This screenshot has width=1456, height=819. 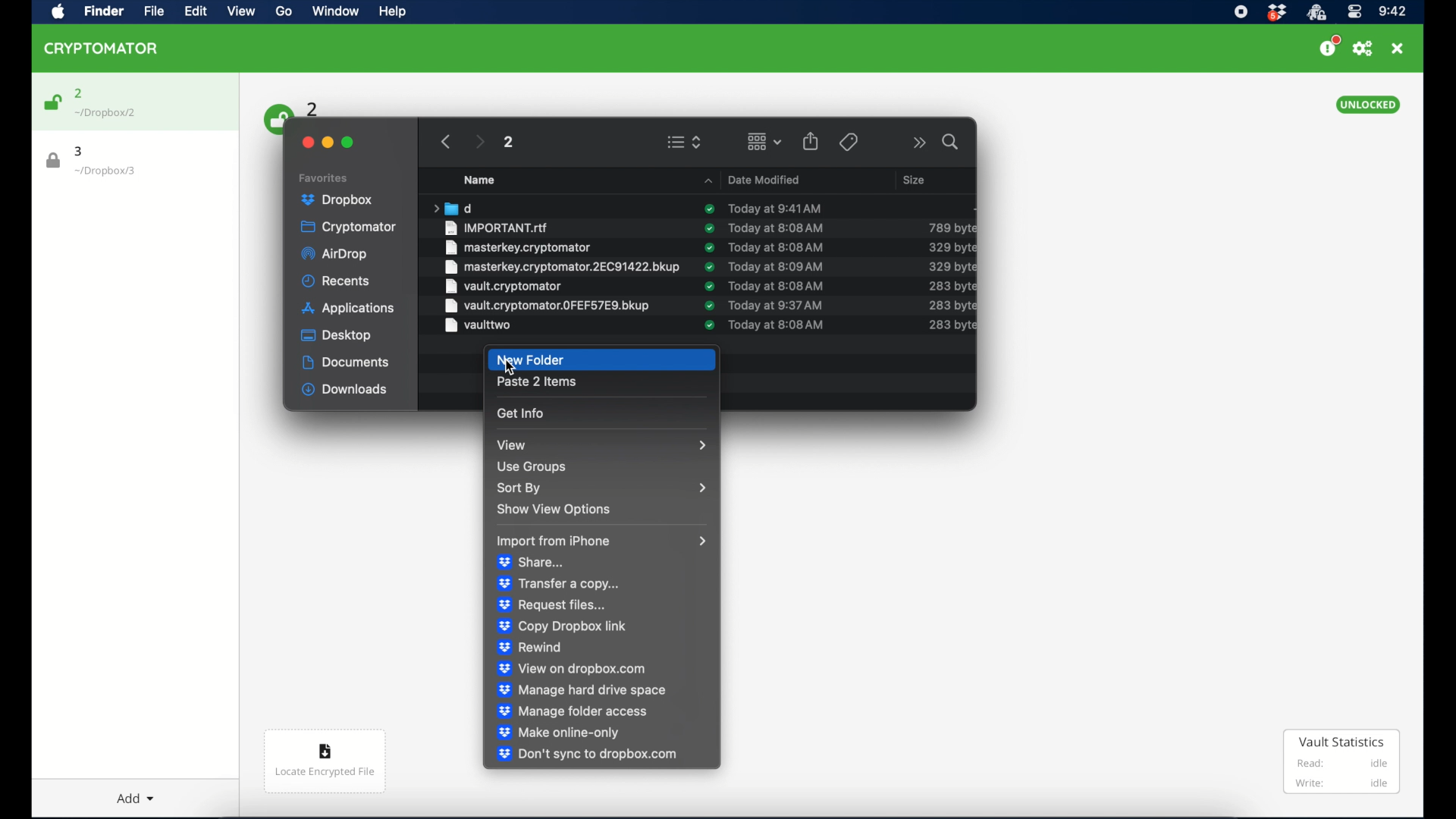 I want to click on next, so click(x=479, y=142).